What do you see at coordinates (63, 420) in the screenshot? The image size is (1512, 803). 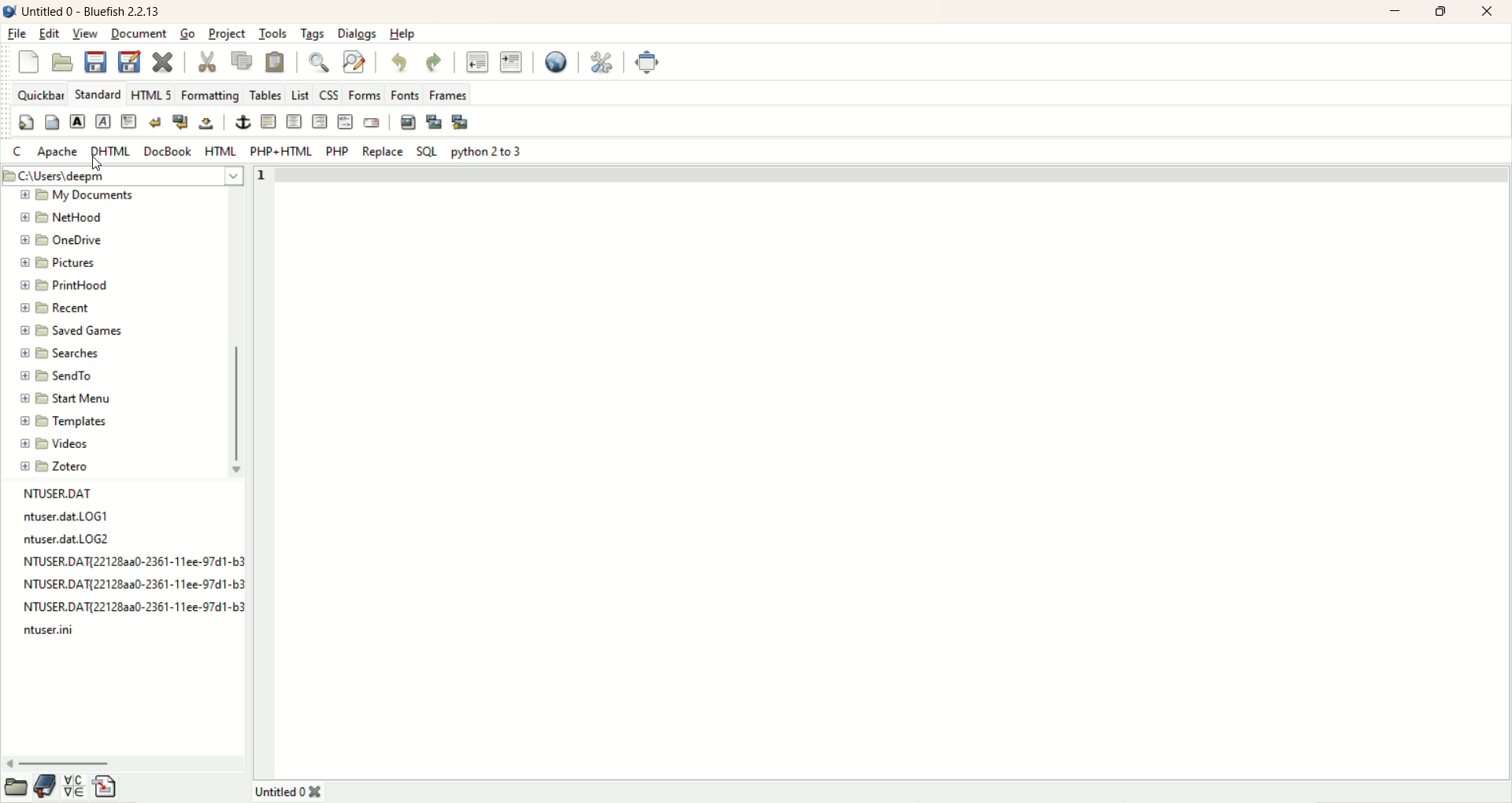 I see `templates` at bounding box center [63, 420].